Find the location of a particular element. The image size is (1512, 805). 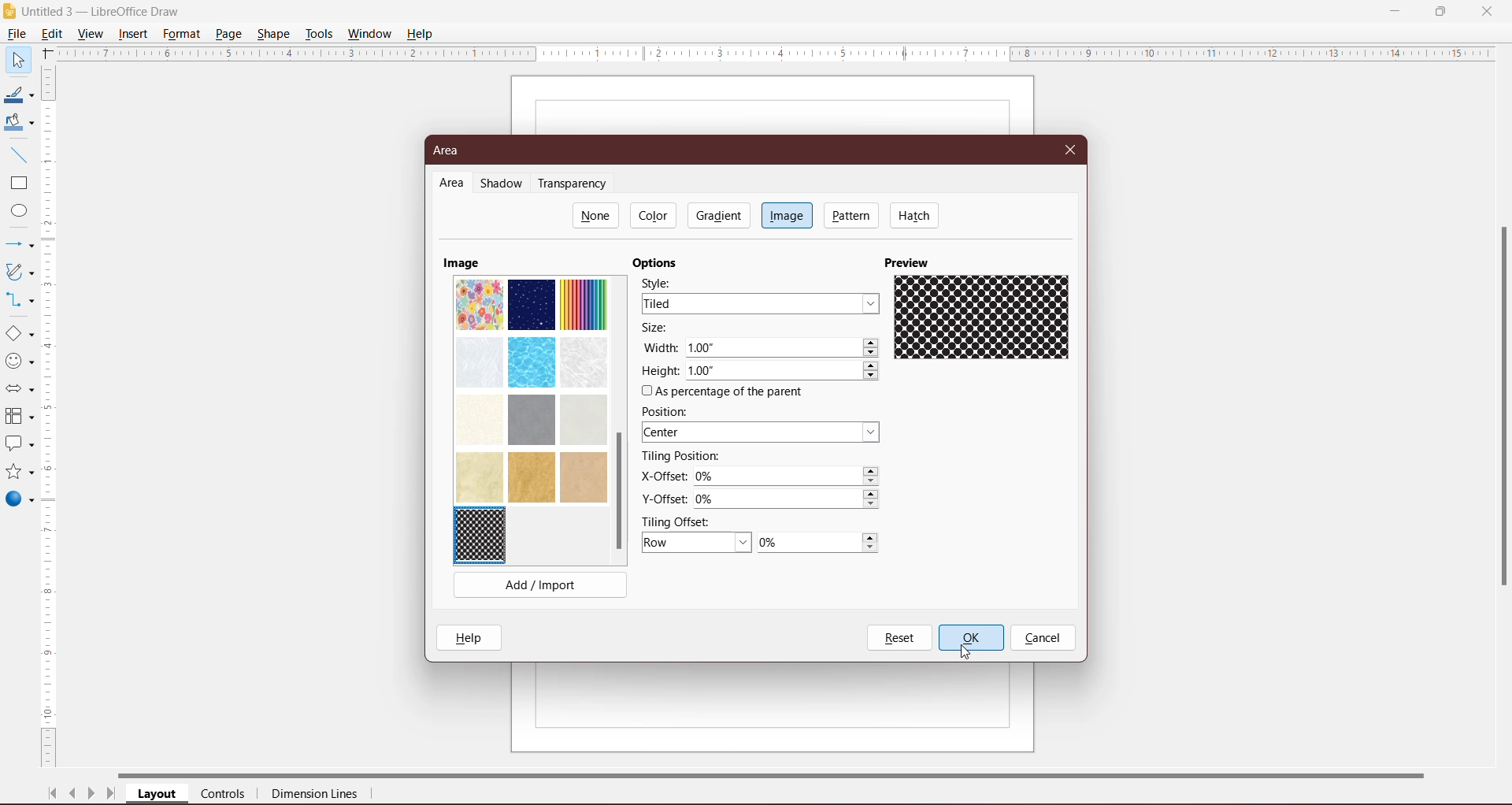

Size is located at coordinates (660, 328).